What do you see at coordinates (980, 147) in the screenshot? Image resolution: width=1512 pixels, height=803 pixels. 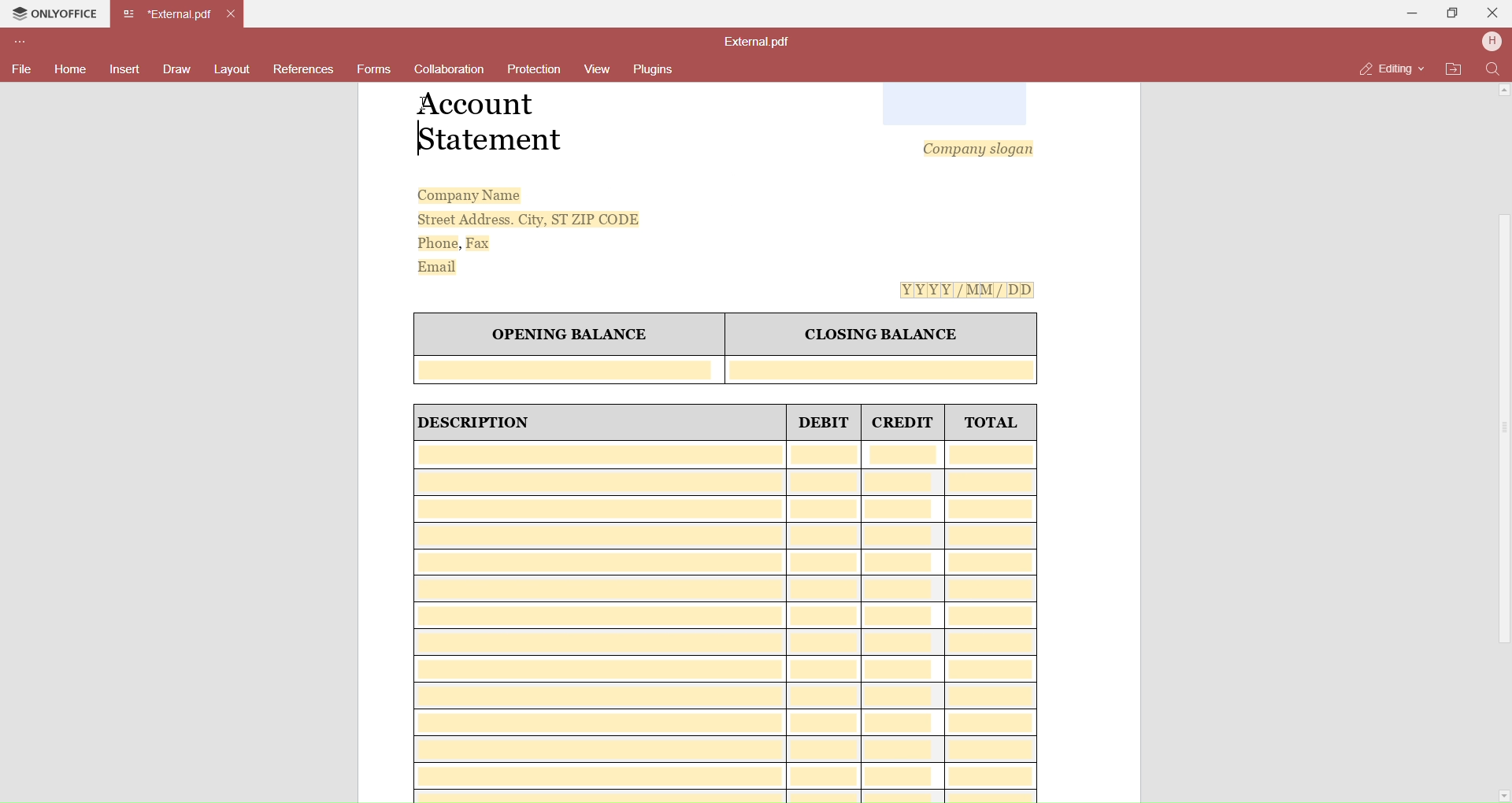 I see `Company slogan` at bounding box center [980, 147].